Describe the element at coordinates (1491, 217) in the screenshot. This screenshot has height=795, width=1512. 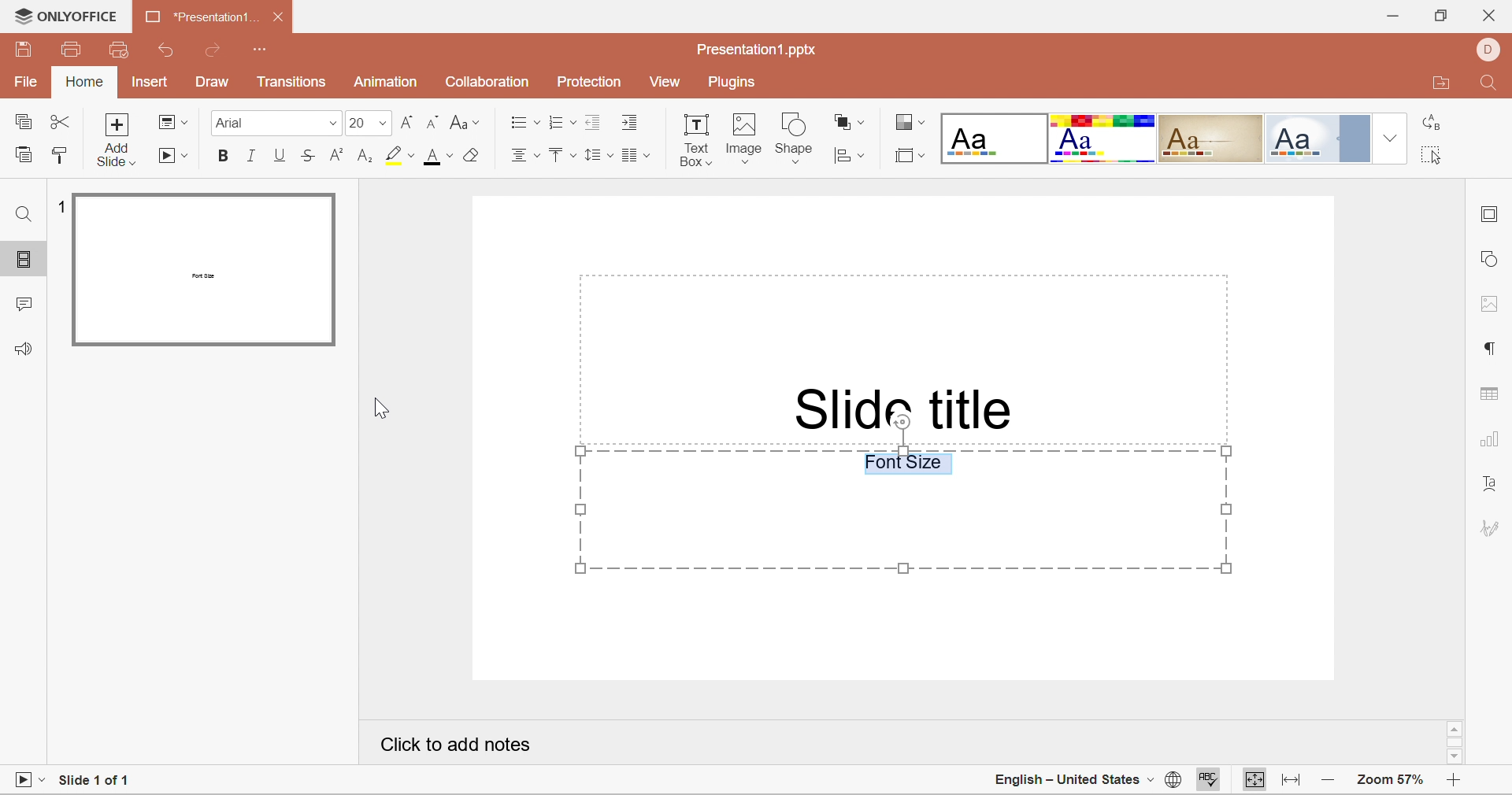
I see `slide settings` at that location.